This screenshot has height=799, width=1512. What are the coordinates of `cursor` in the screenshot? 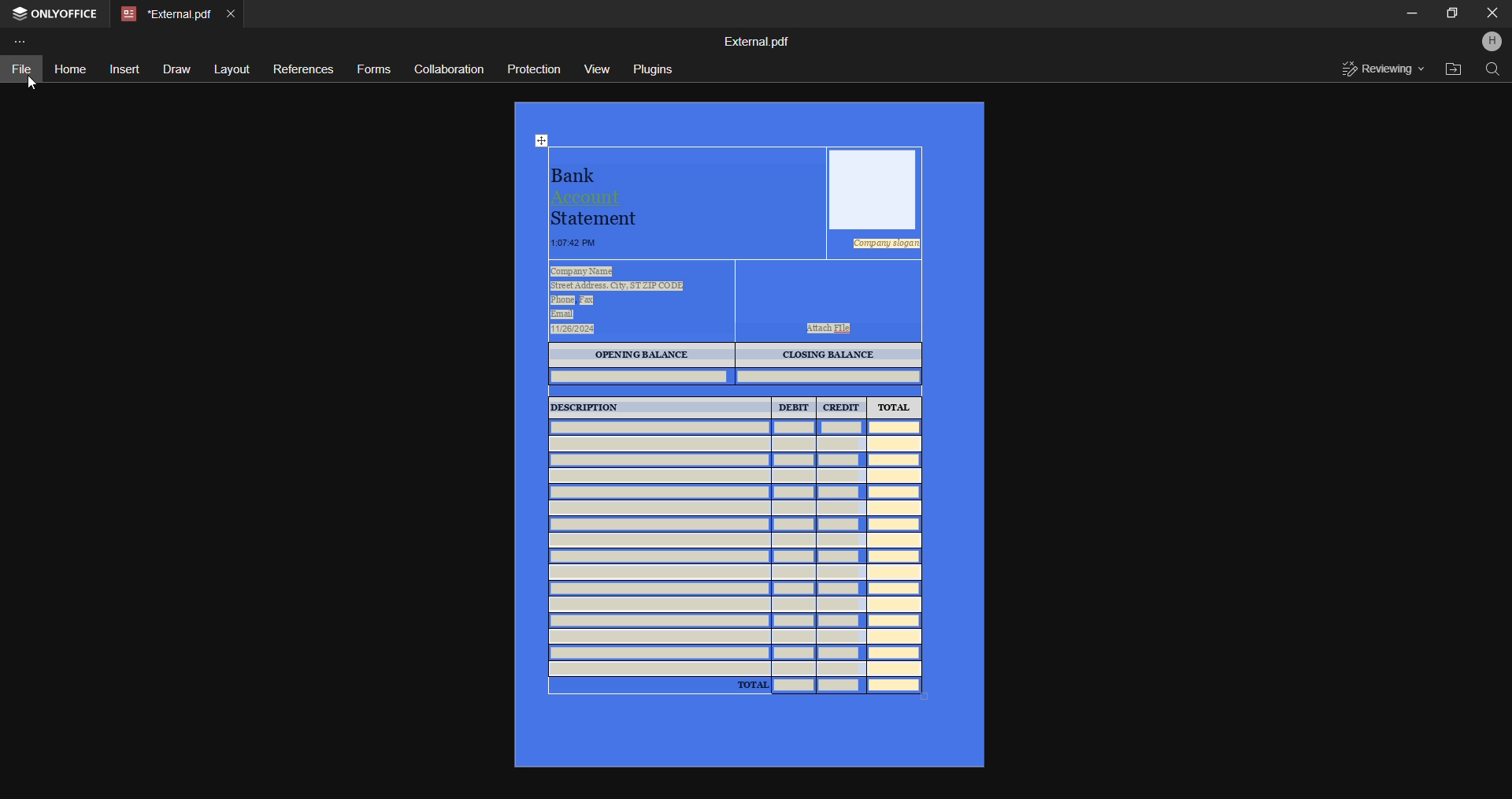 It's located at (31, 83).